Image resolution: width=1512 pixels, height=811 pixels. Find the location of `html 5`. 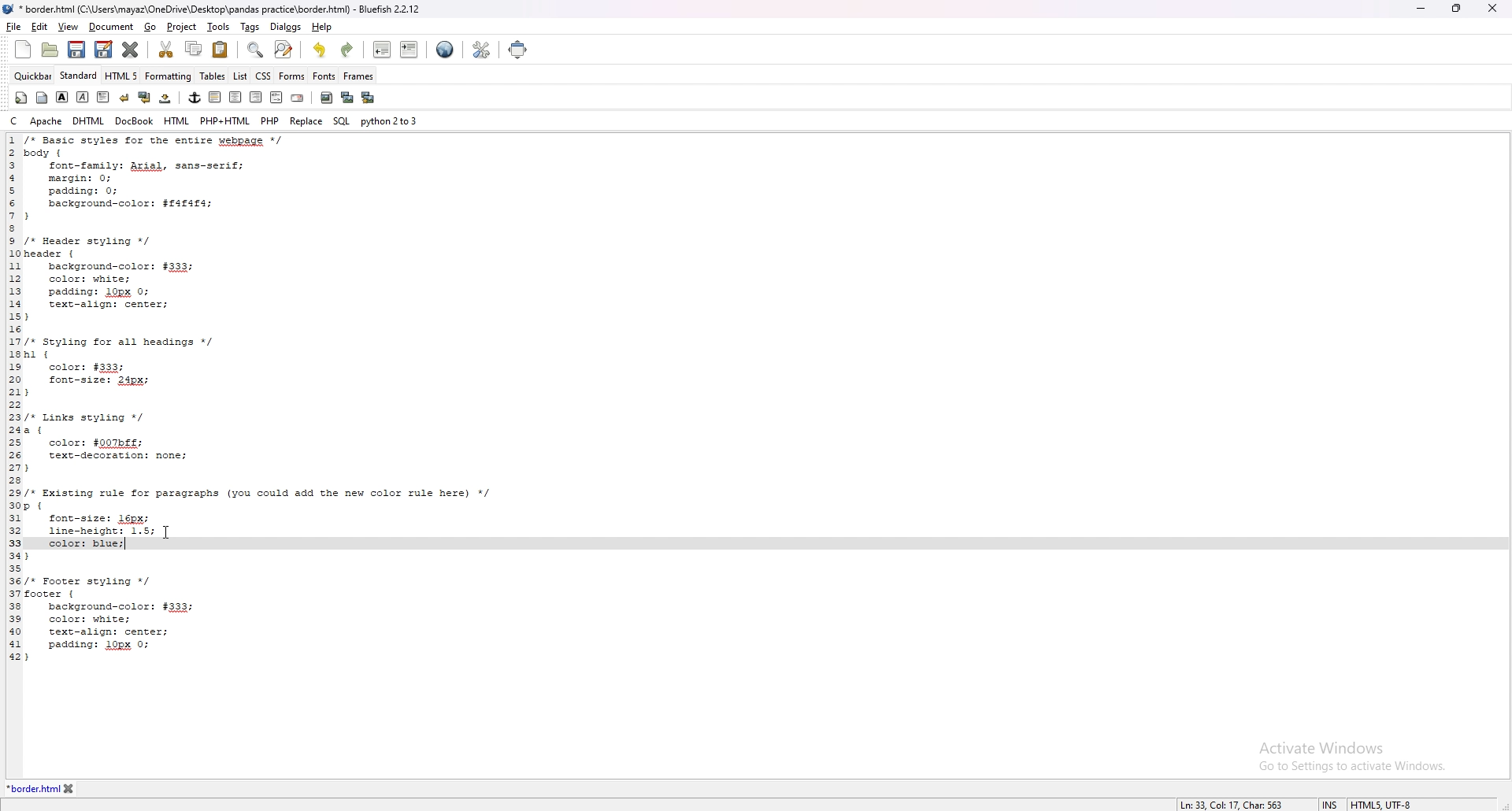

html 5 is located at coordinates (122, 76).